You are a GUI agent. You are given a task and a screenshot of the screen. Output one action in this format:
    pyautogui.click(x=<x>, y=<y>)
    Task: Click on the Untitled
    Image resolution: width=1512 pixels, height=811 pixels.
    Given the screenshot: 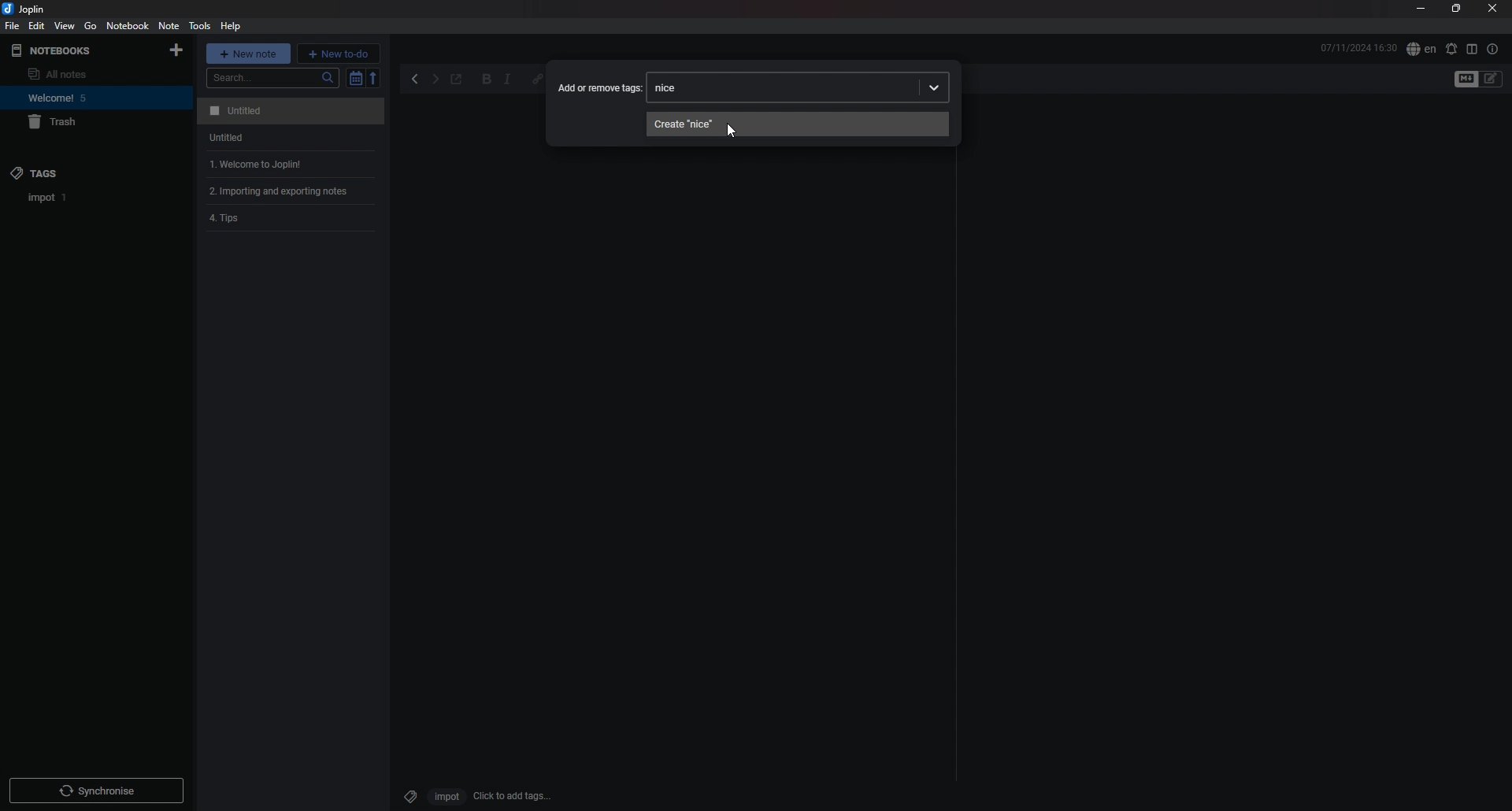 What is the action you would take?
    pyautogui.click(x=221, y=139)
    